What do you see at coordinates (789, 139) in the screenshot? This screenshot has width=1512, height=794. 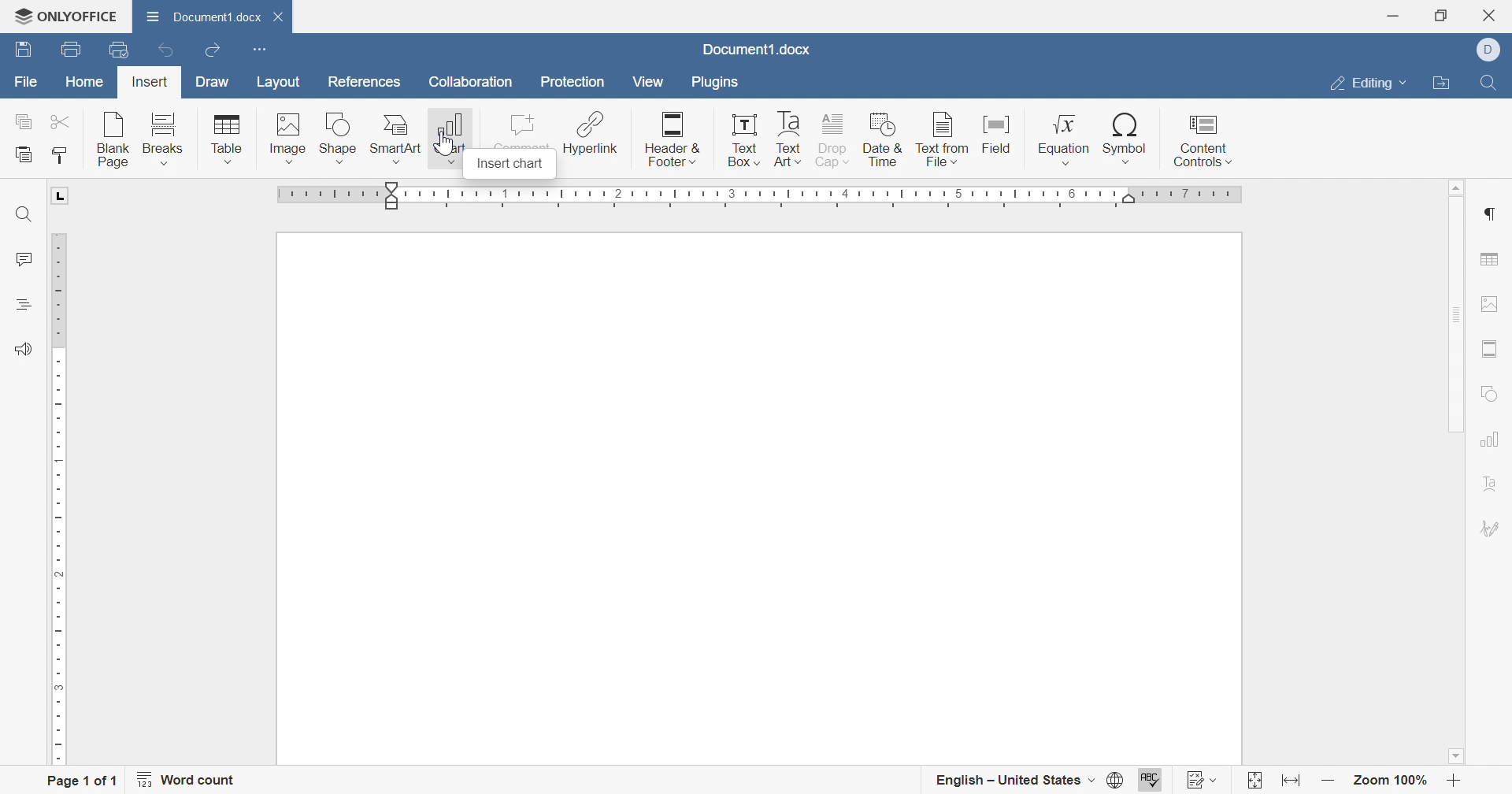 I see `Text Art` at bounding box center [789, 139].